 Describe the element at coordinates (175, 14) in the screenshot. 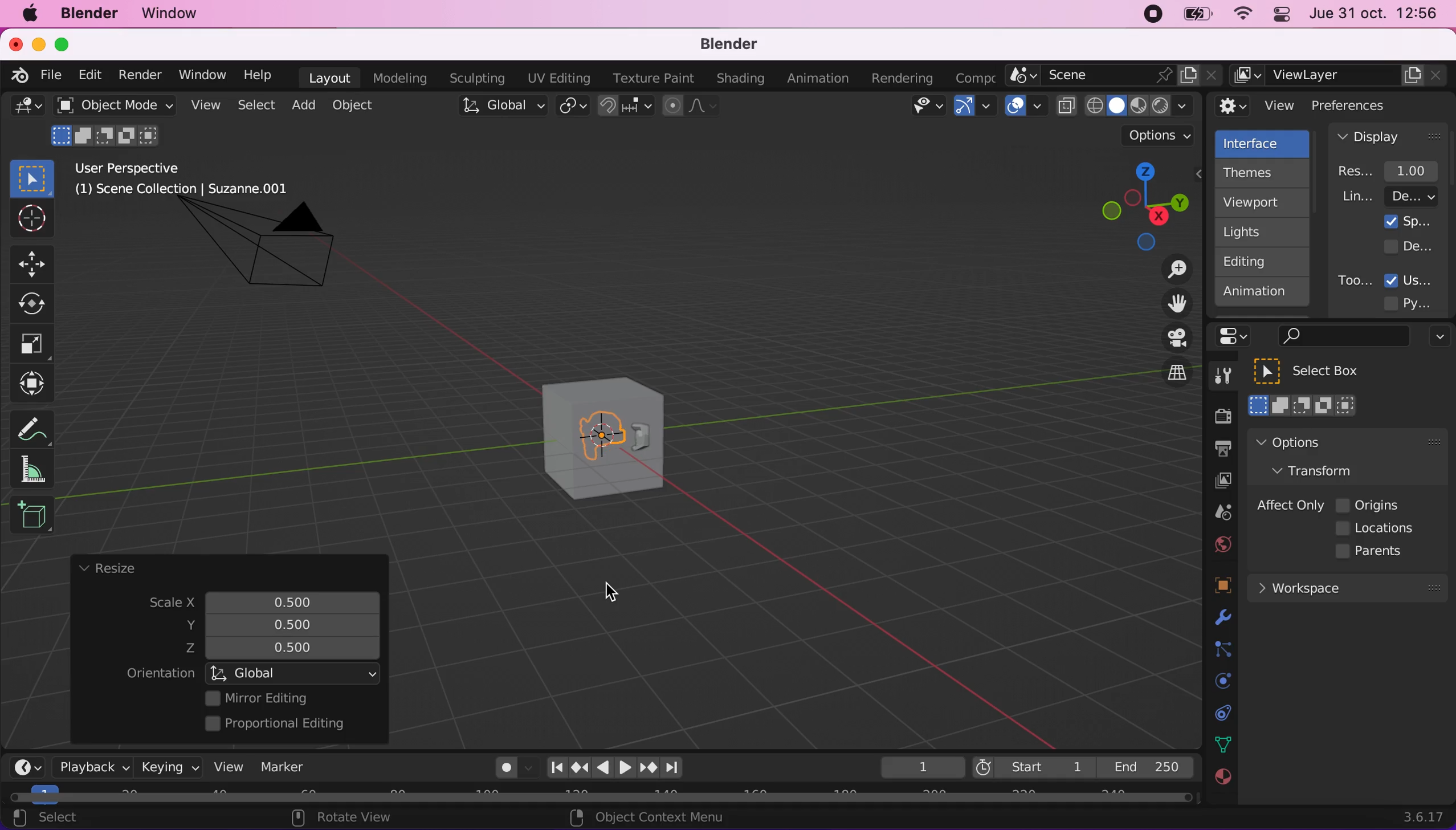

I see `window` at that location.